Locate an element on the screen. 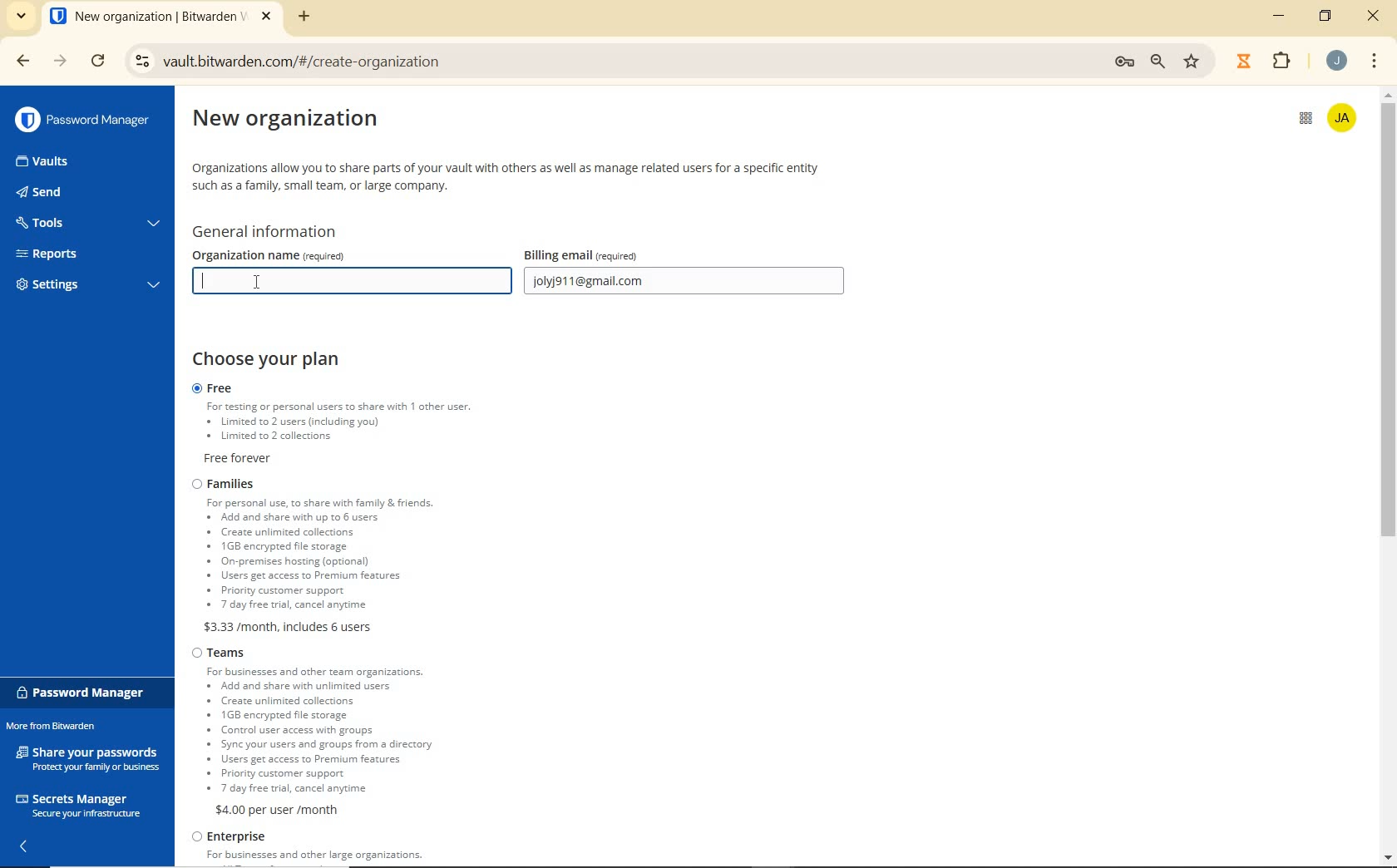  account name is located at coordinates (1345, 116).